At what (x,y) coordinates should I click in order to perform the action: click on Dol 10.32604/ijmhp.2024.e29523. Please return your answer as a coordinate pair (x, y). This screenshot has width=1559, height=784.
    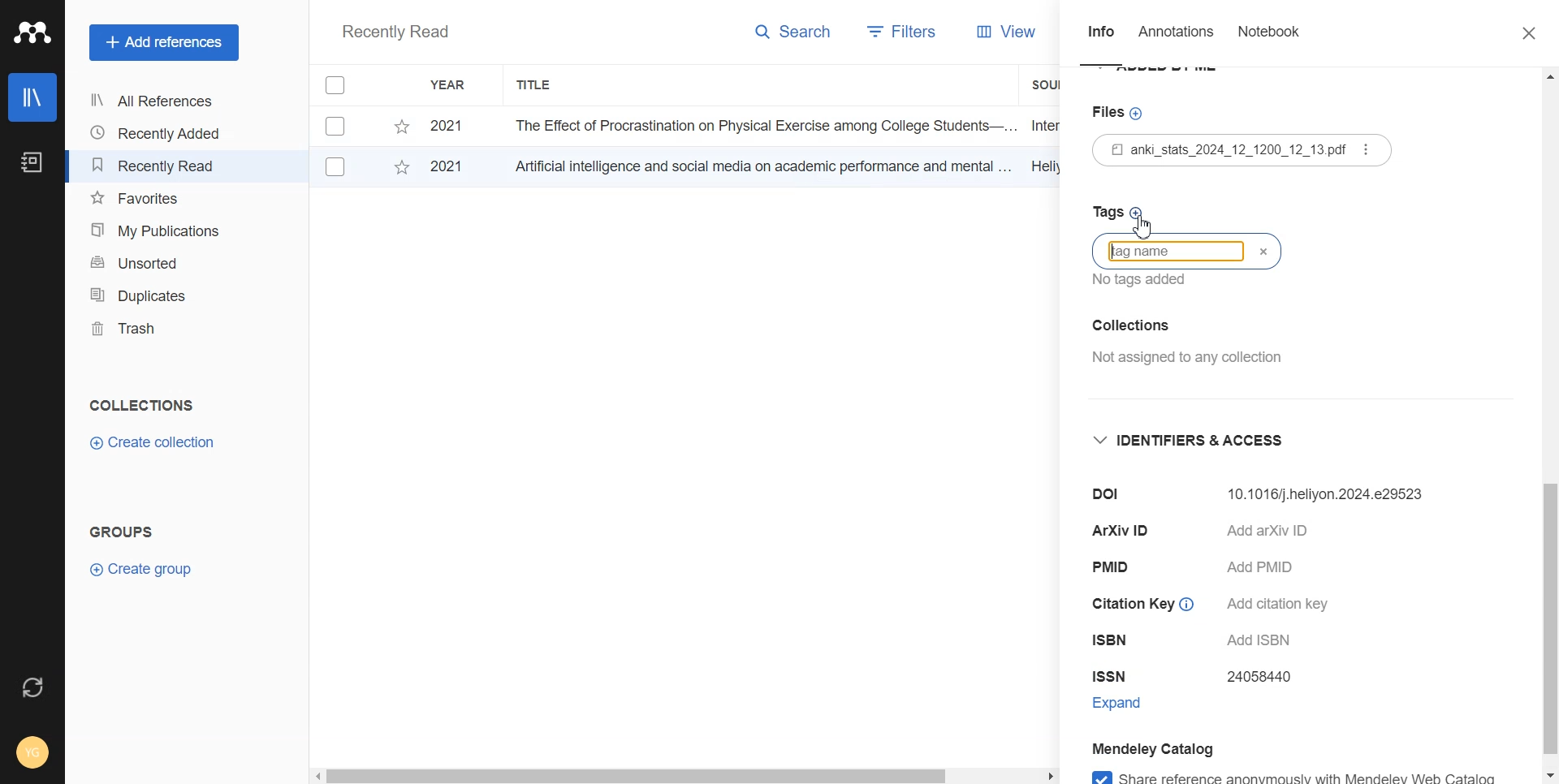
    Looking at the image, I should click on (1268, 494).